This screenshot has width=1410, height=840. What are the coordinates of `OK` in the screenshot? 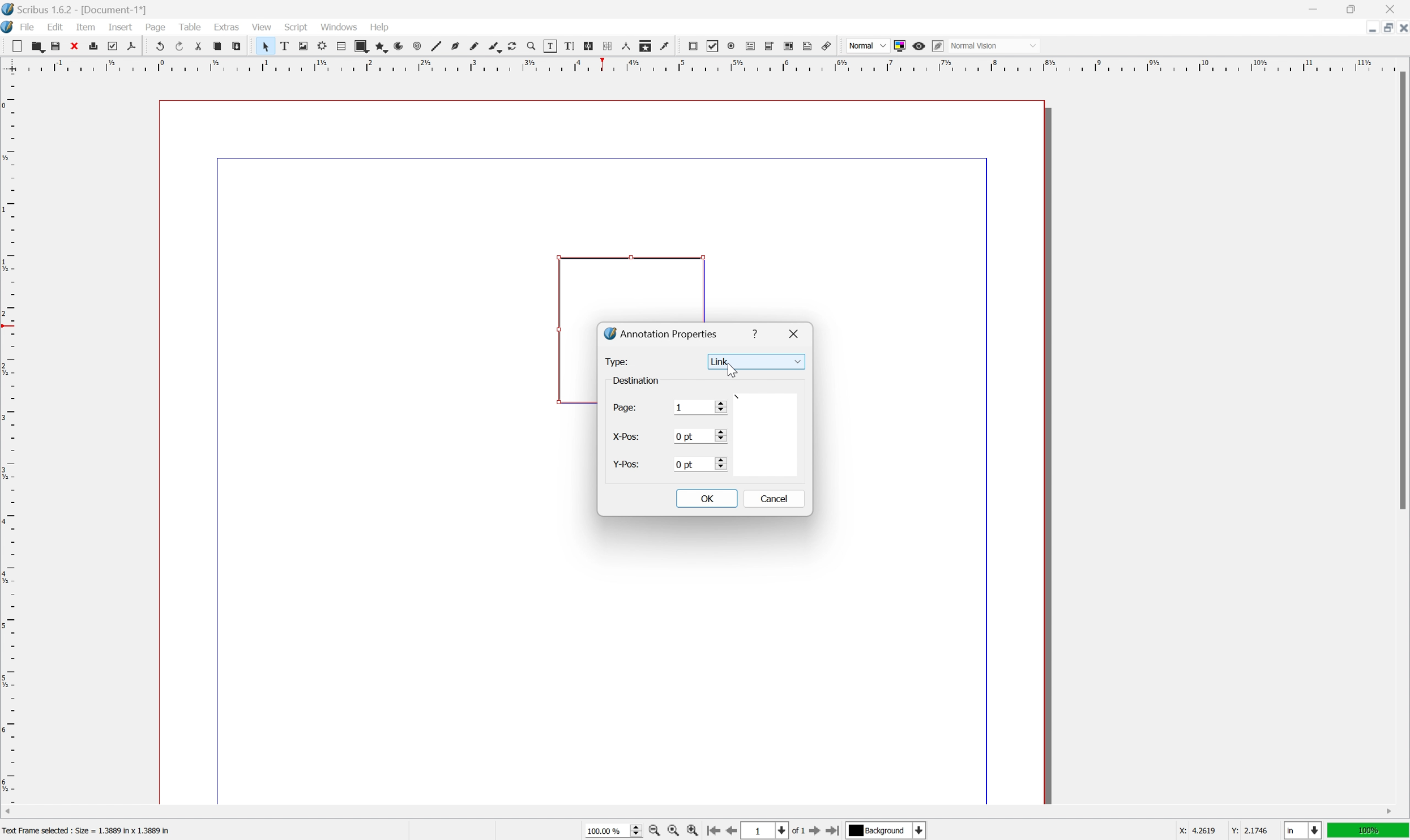 It's located at (706, 497).